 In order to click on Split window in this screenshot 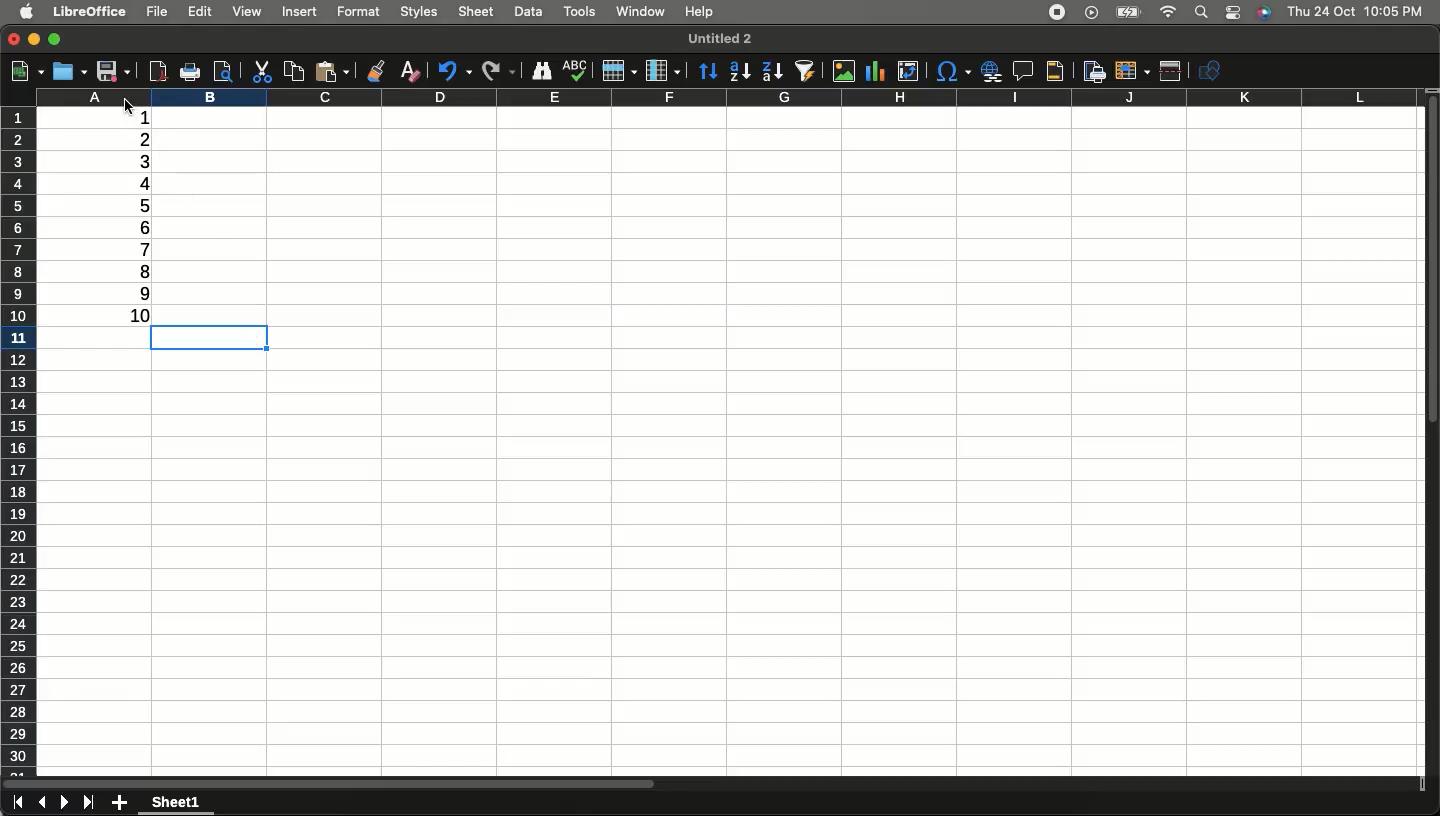, I will do `click(1172, 71)`.